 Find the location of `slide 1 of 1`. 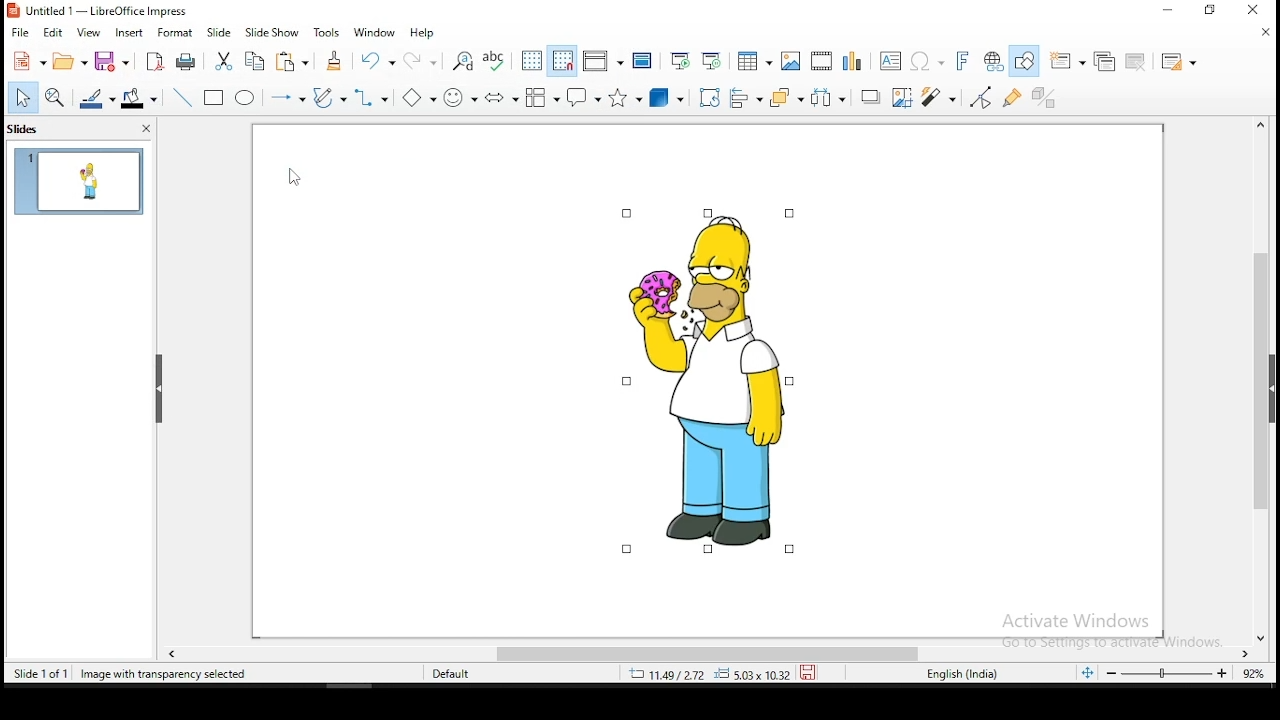

slide 1 of 1 is located at coordinates (37, 673).